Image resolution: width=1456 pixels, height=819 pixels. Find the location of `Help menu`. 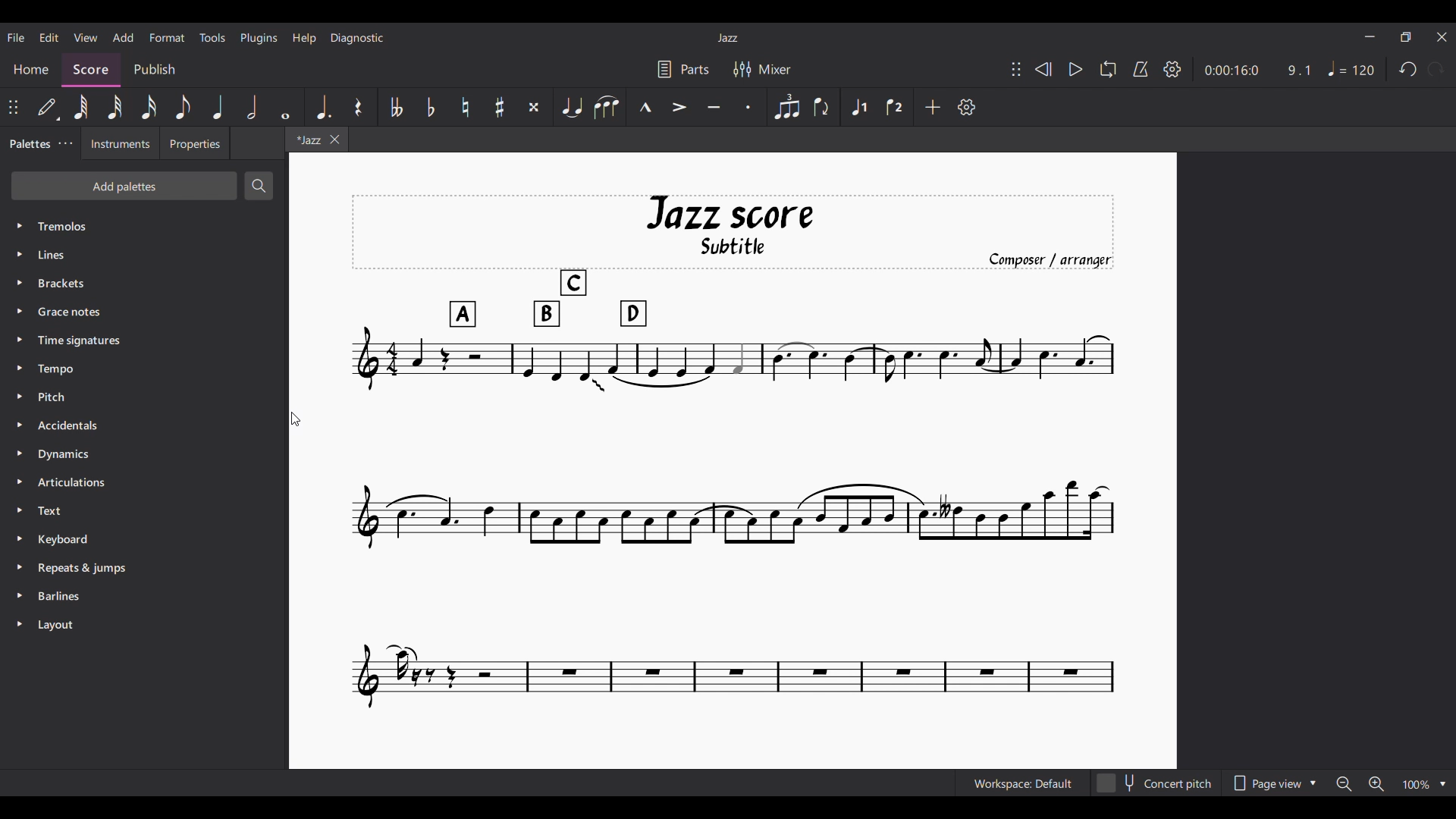

Help menu is located at coordinates (303, 38).